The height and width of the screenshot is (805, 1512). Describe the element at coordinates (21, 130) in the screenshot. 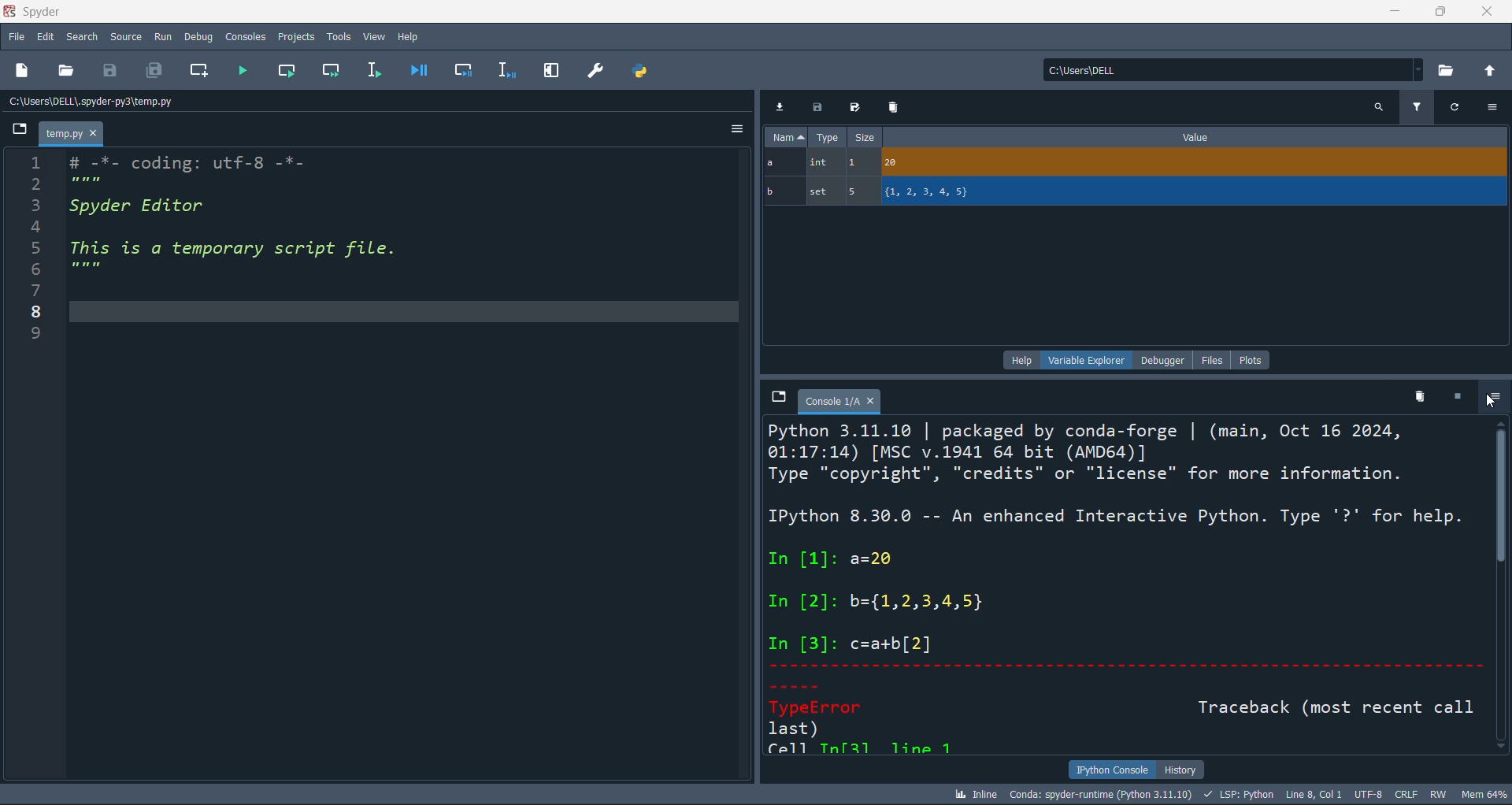

I see `browse tabs` at that location.